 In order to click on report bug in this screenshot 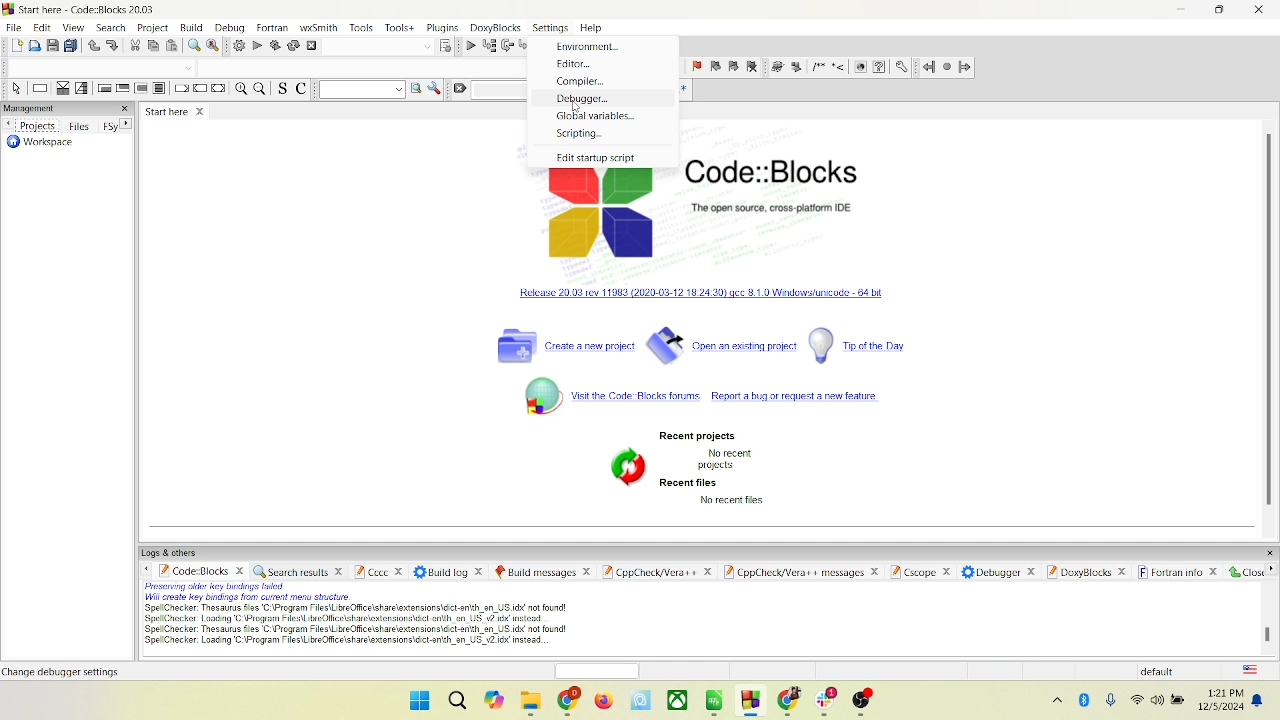, I will do `click(798, 399)`.